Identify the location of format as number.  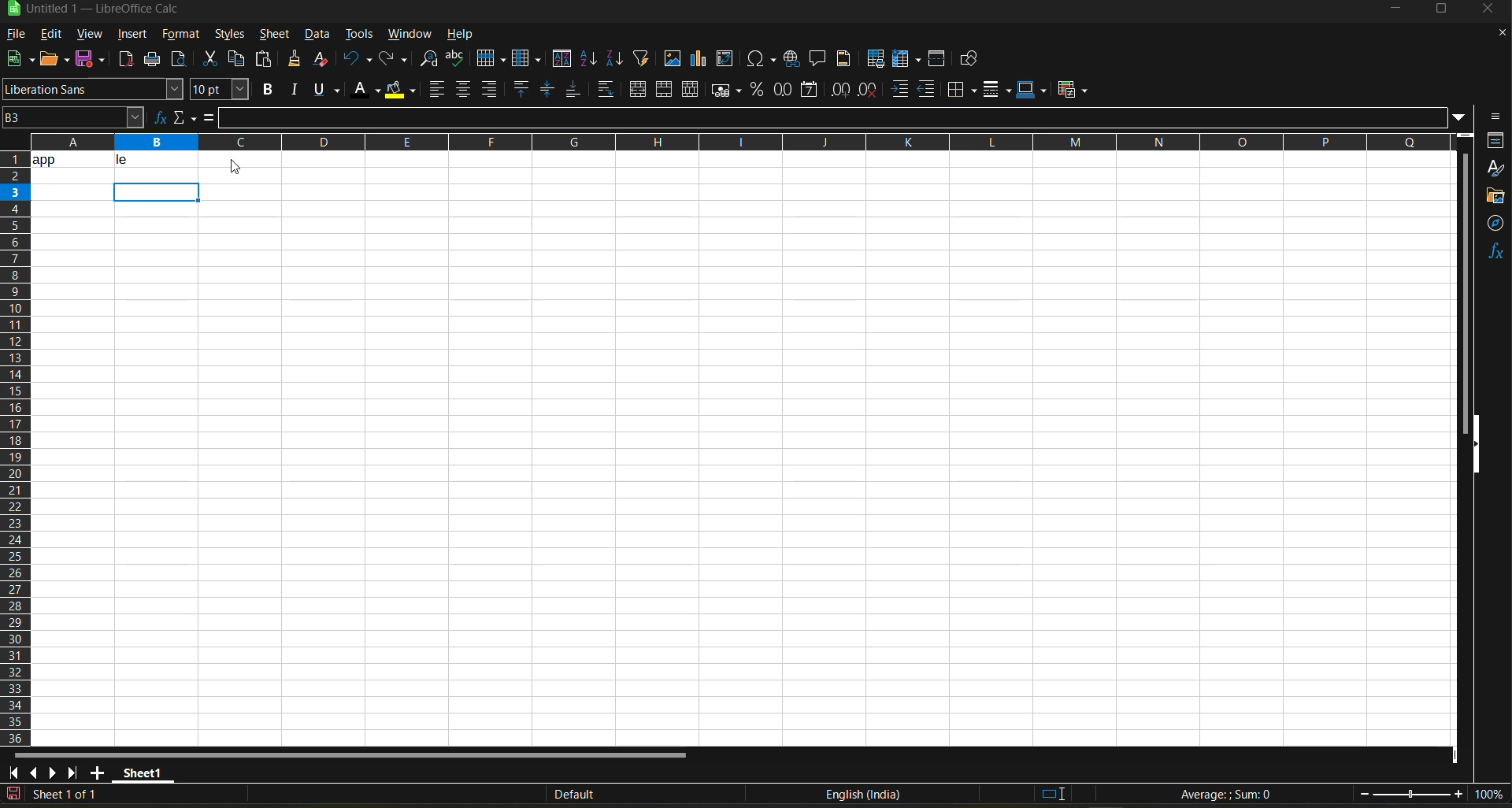
(787, 91).